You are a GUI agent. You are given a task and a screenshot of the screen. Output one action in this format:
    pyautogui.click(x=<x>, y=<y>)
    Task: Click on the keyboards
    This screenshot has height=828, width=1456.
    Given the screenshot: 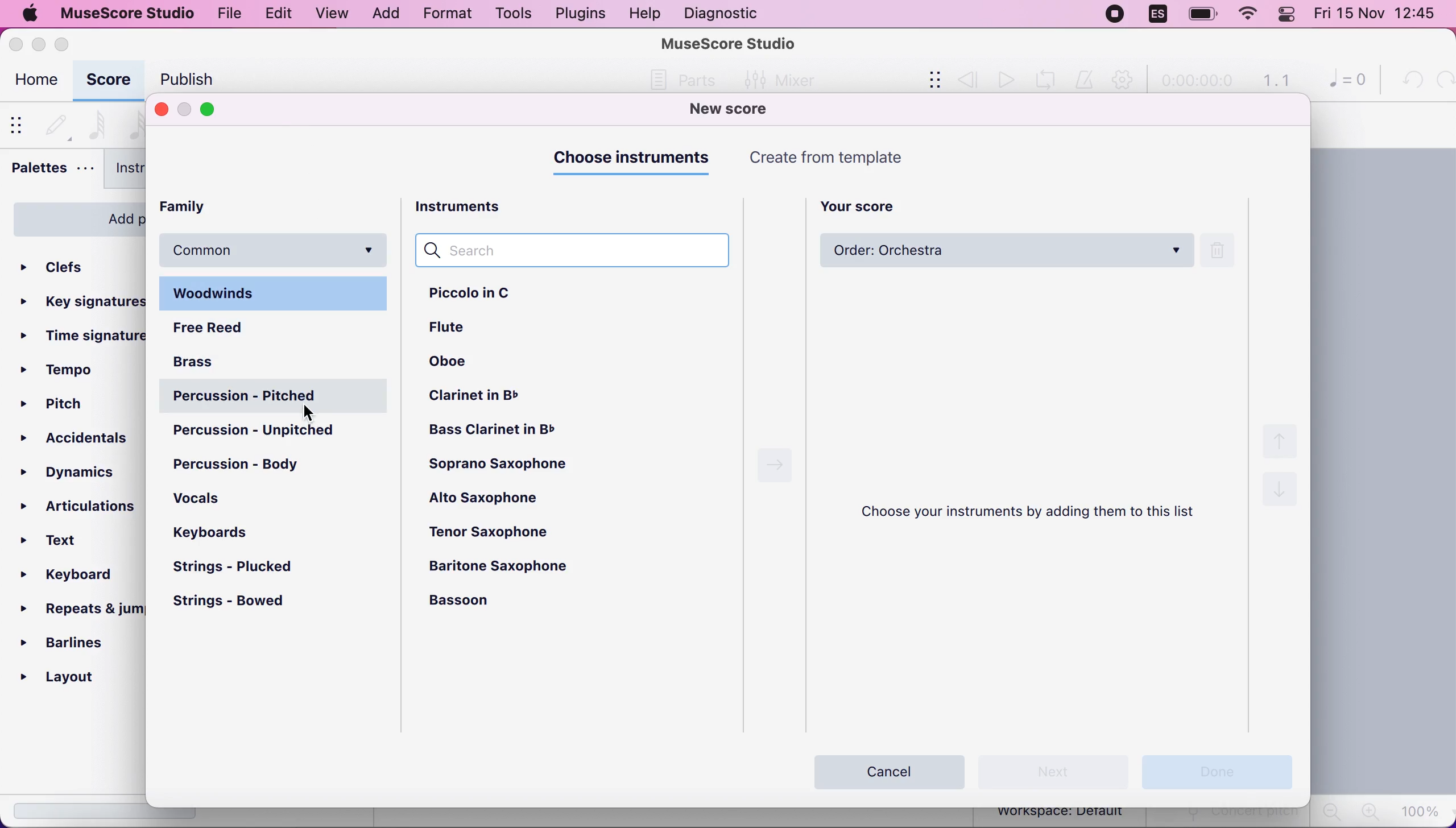 What is the action you would take?
    pyautogui.click(x=213, y=533)
    